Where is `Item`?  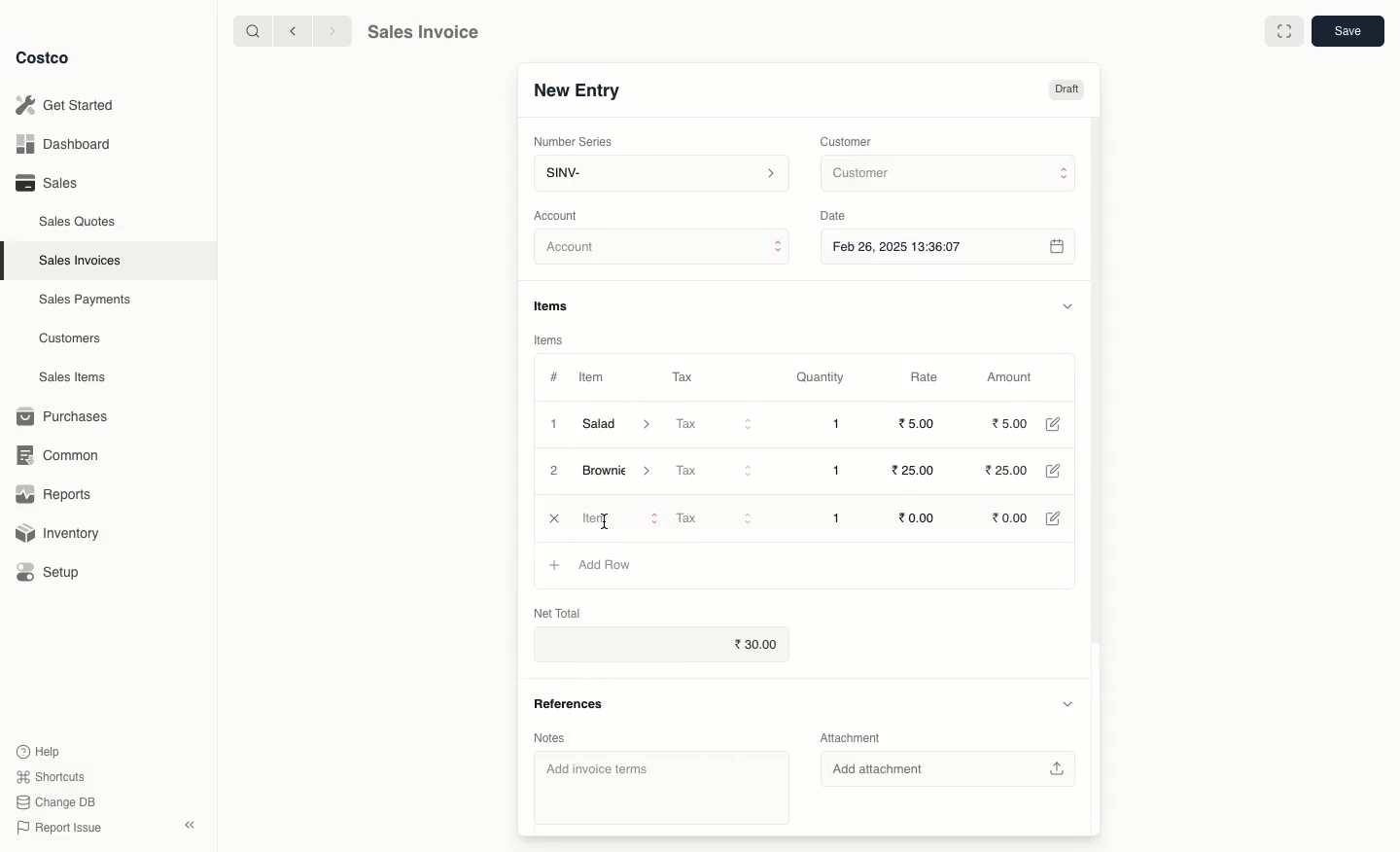 Item is located at coordinates (615, 518).